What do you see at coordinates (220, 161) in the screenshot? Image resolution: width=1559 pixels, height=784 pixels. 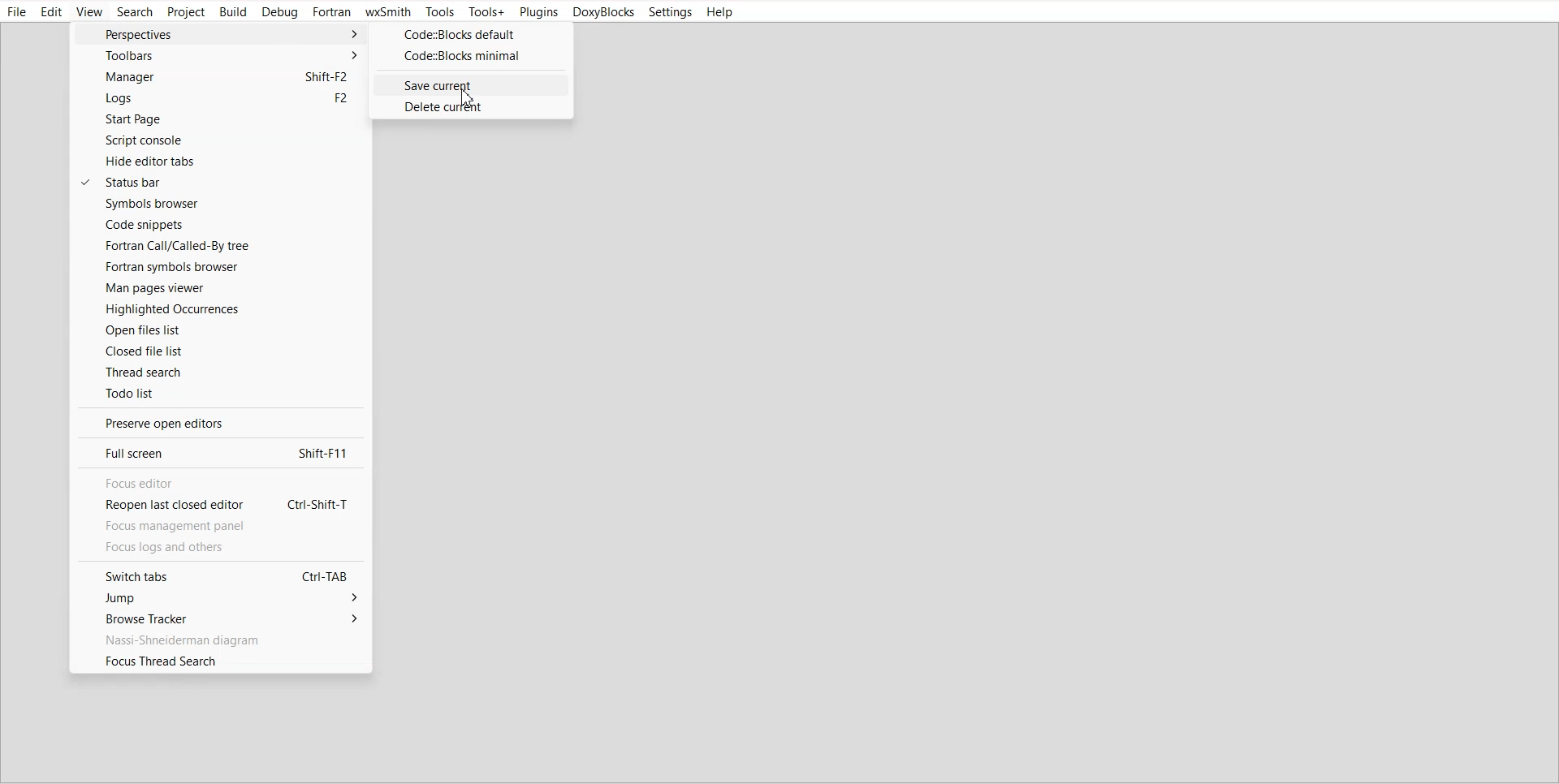 I see `Hide editor tabs` at bounding box center [220, 161].